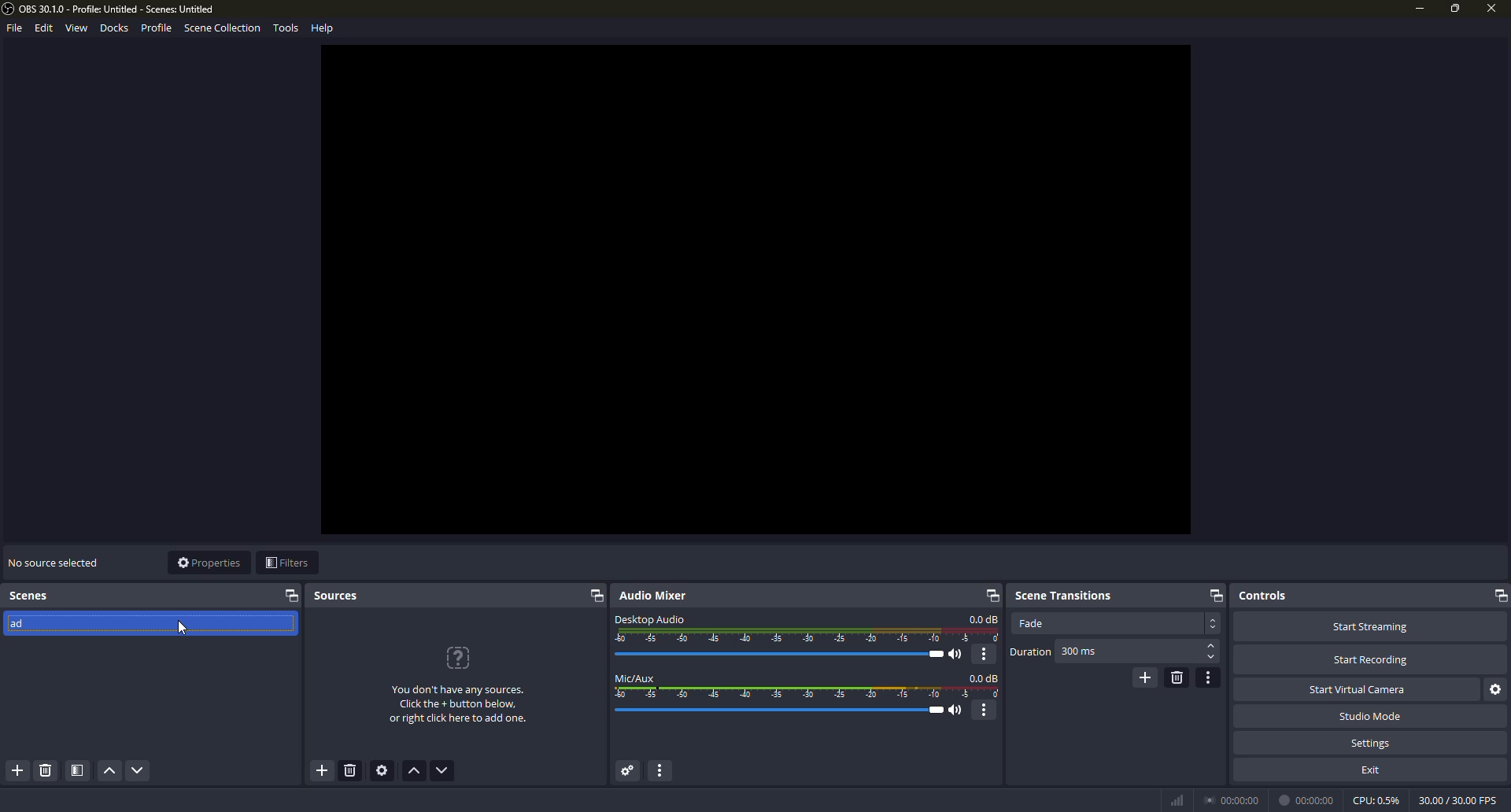 This screenshot has height=812, width=1511. What do you see at coordinates (985, 654) in the screenshot?
I see `options` at bounding box center [985, 654].